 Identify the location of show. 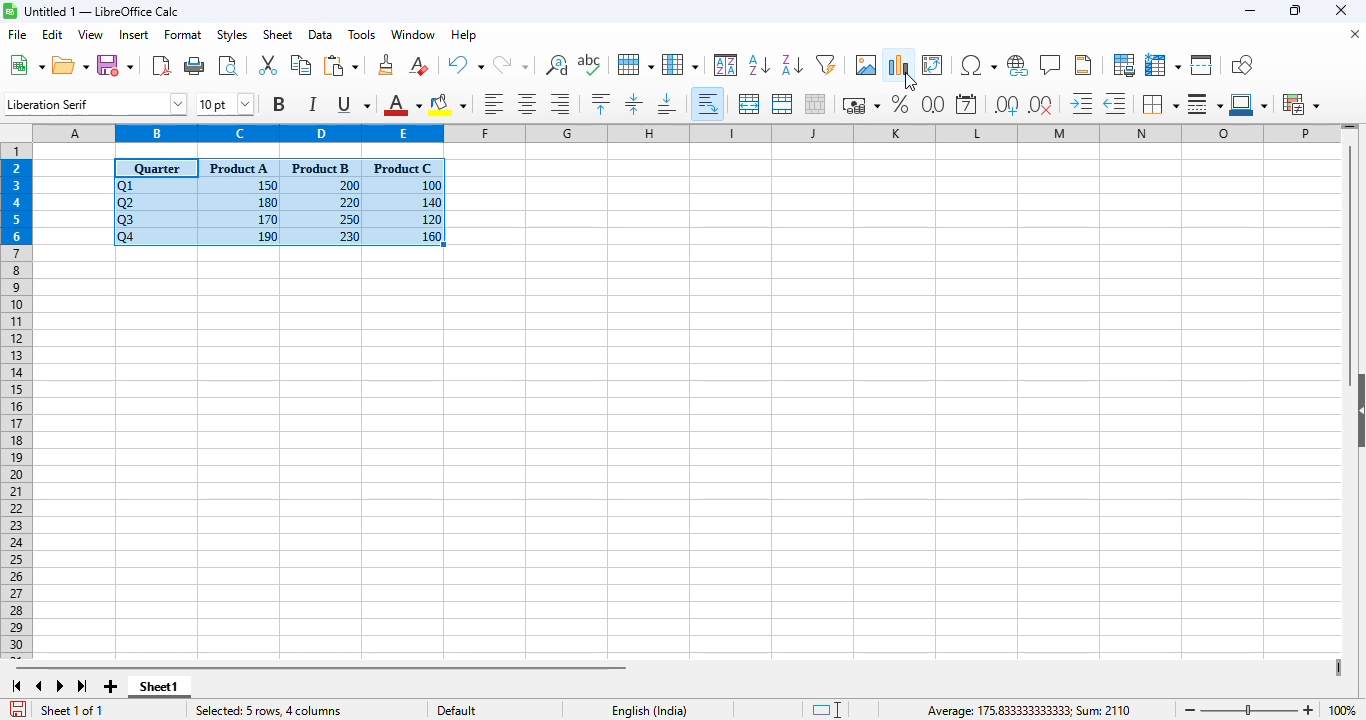
(1357, 410).